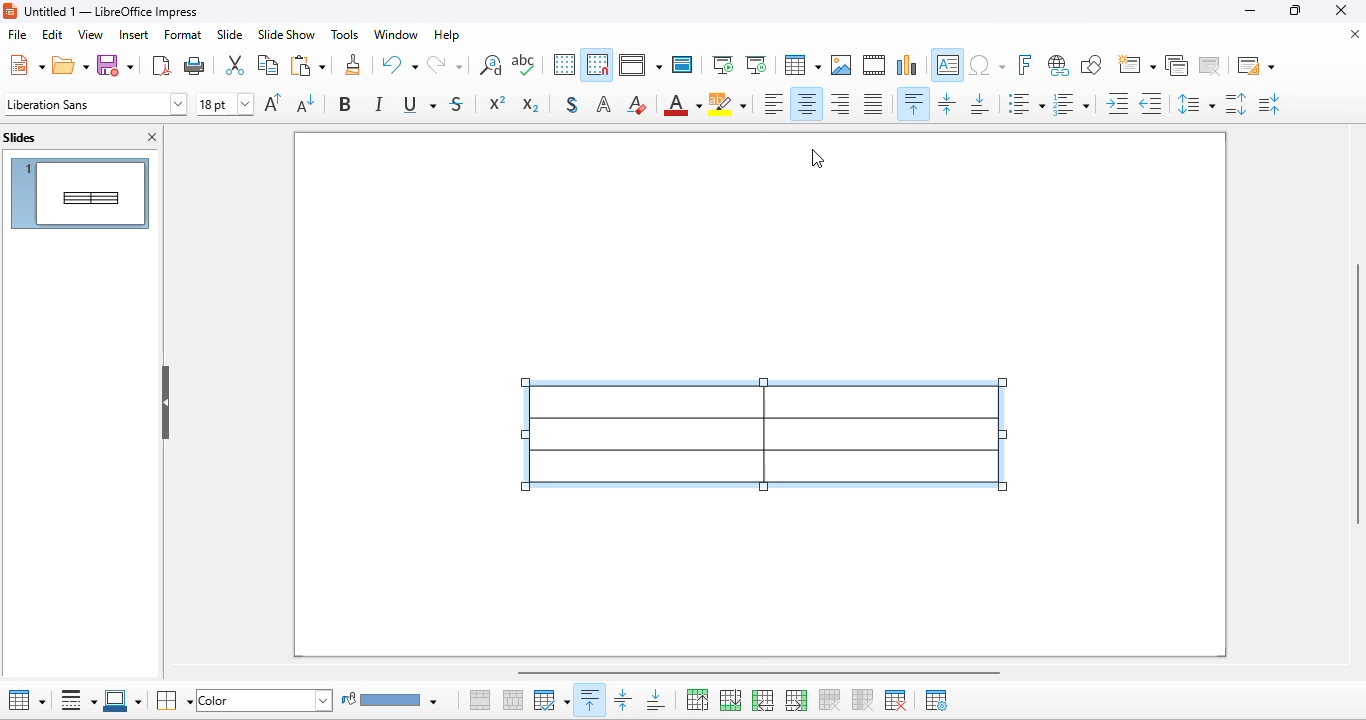  Describe the element at coordinates (79, 699) in the screenshot. I see `border style` at that location.